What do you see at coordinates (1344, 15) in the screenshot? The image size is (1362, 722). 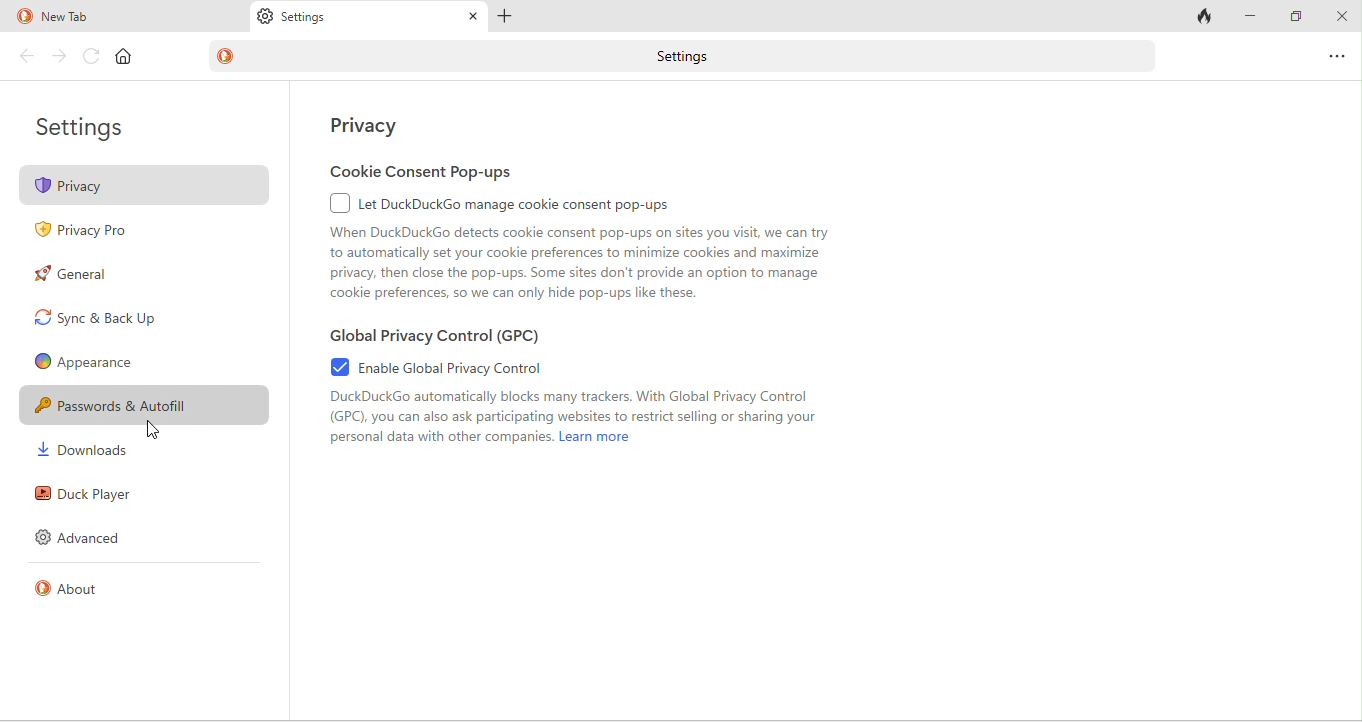 I see `close` at bounding box center [1344, 15].